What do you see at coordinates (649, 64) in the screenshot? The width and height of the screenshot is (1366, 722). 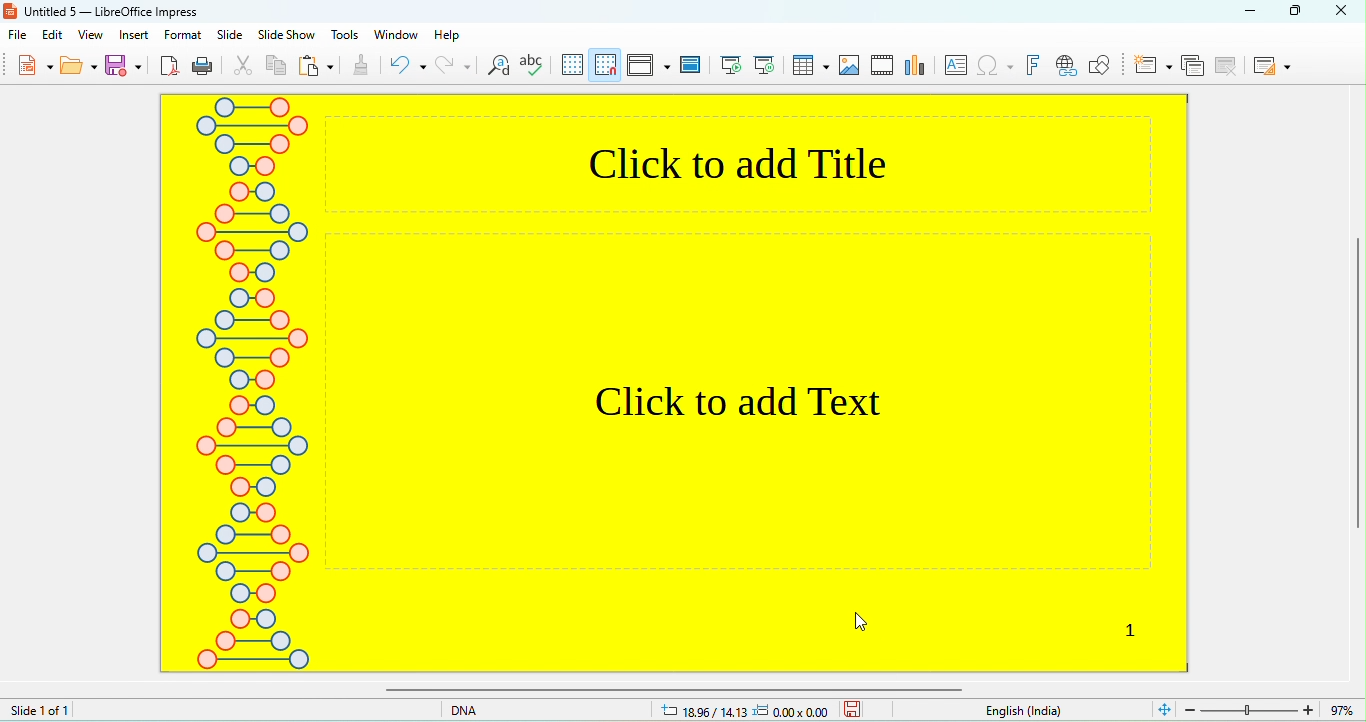 I see `display views` at bounding box center [649, 64].